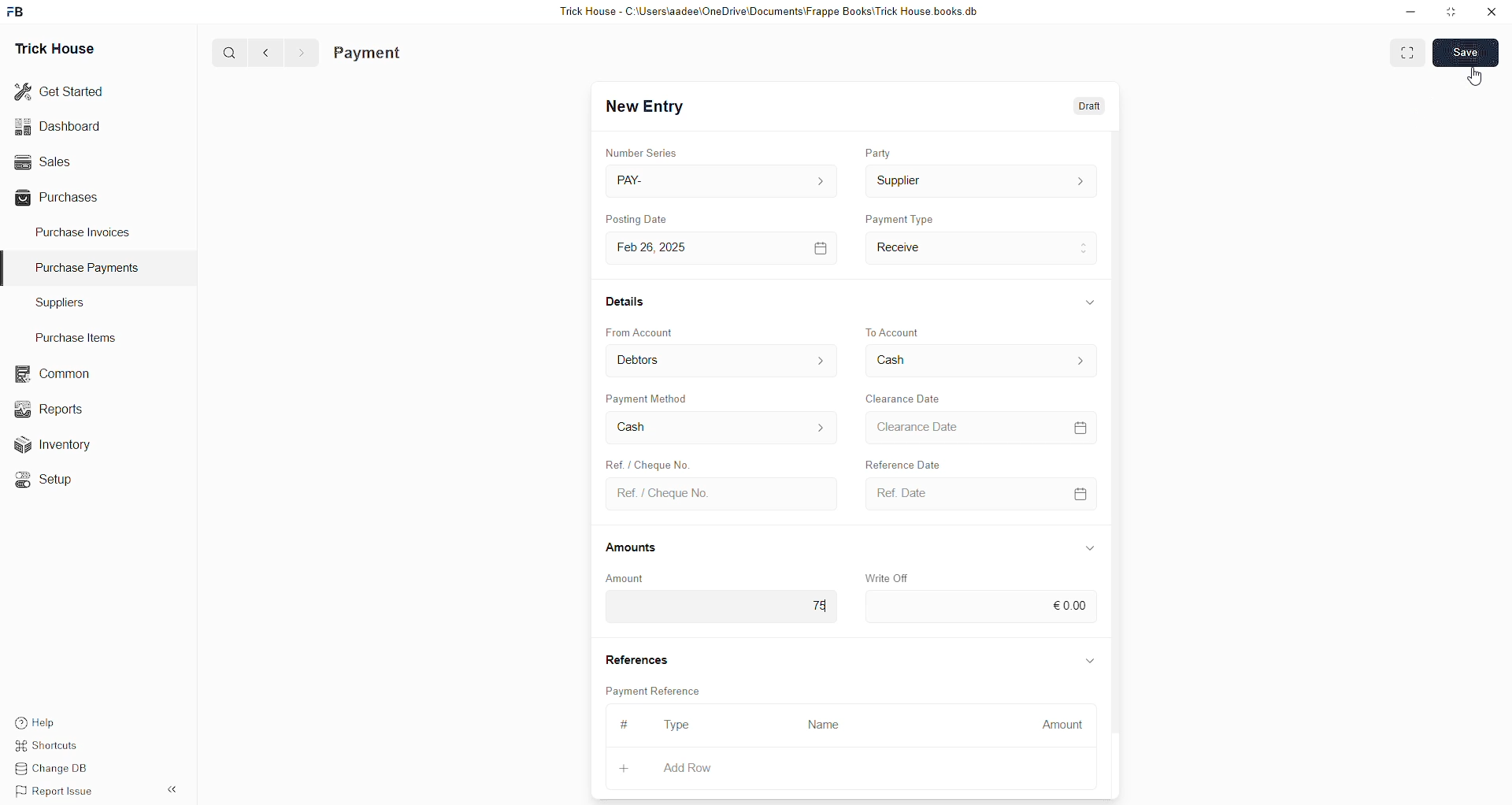 The image size is (1512, 805). Describe the element at coordinates (637, 547) in the screenshot. I see `Amounts` at that location.